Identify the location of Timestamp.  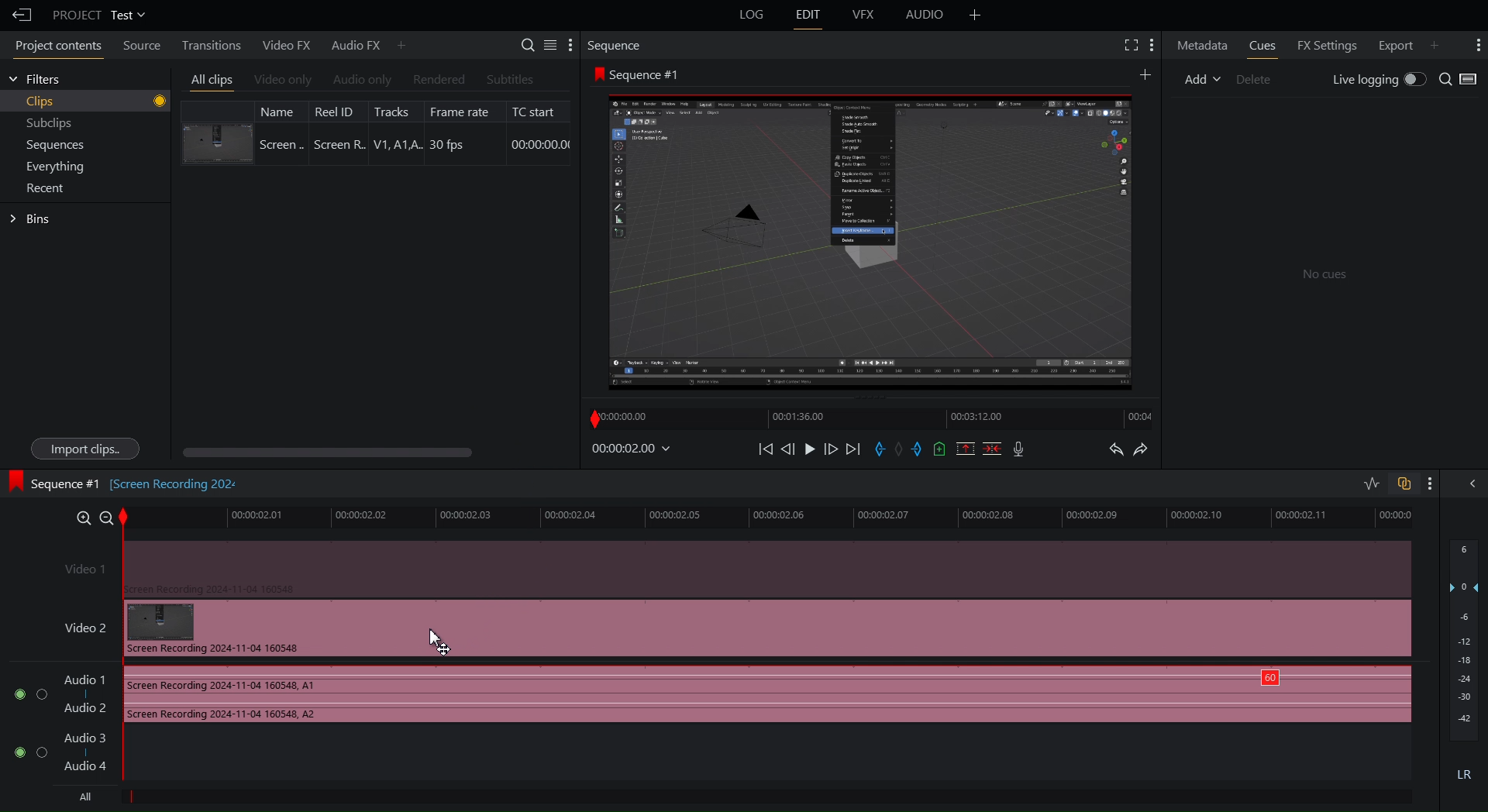
(632, 449).